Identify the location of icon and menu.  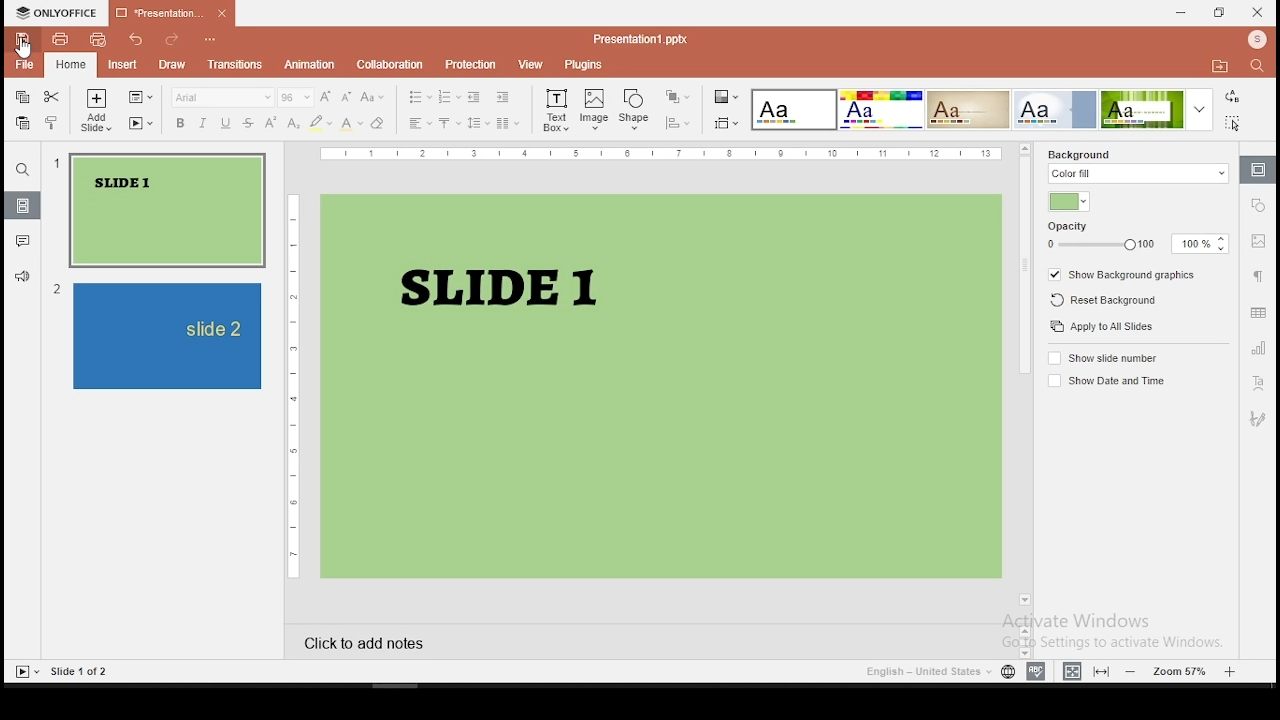
(56, 12).